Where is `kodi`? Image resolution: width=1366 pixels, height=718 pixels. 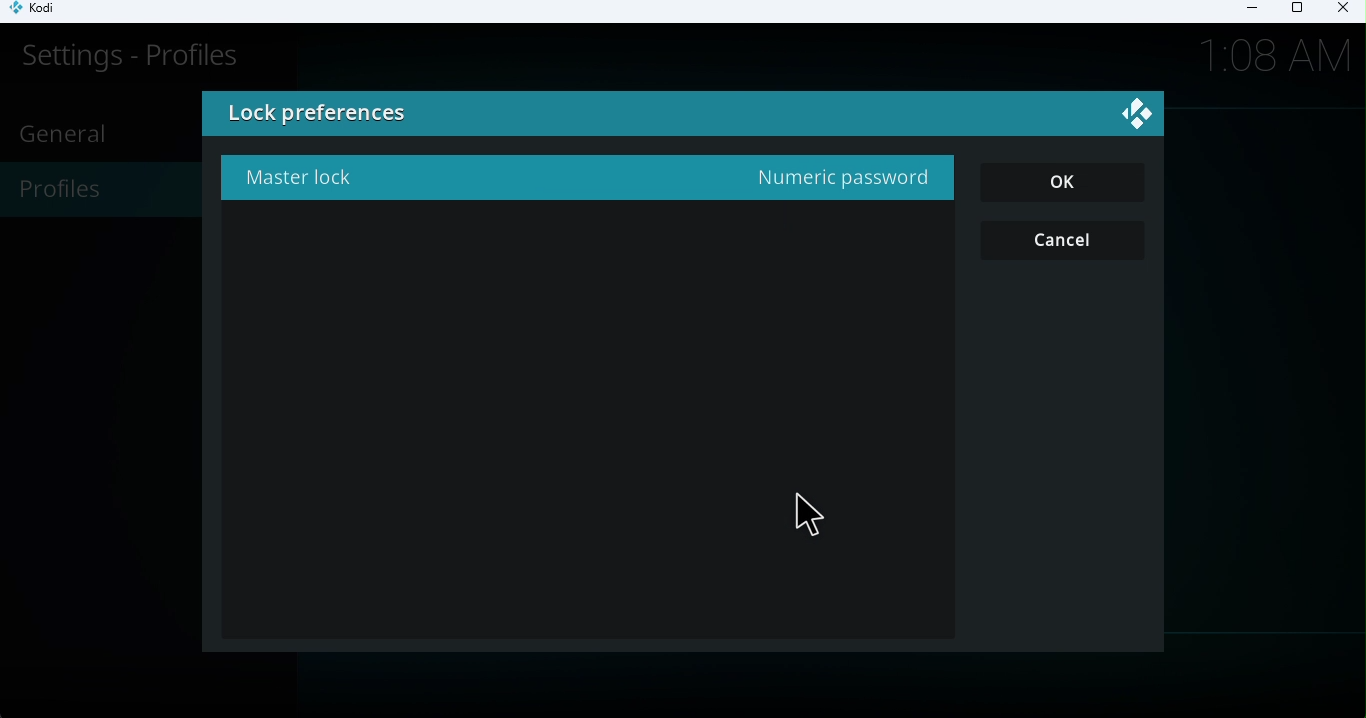 kodi is located at coordinates (46, 12).